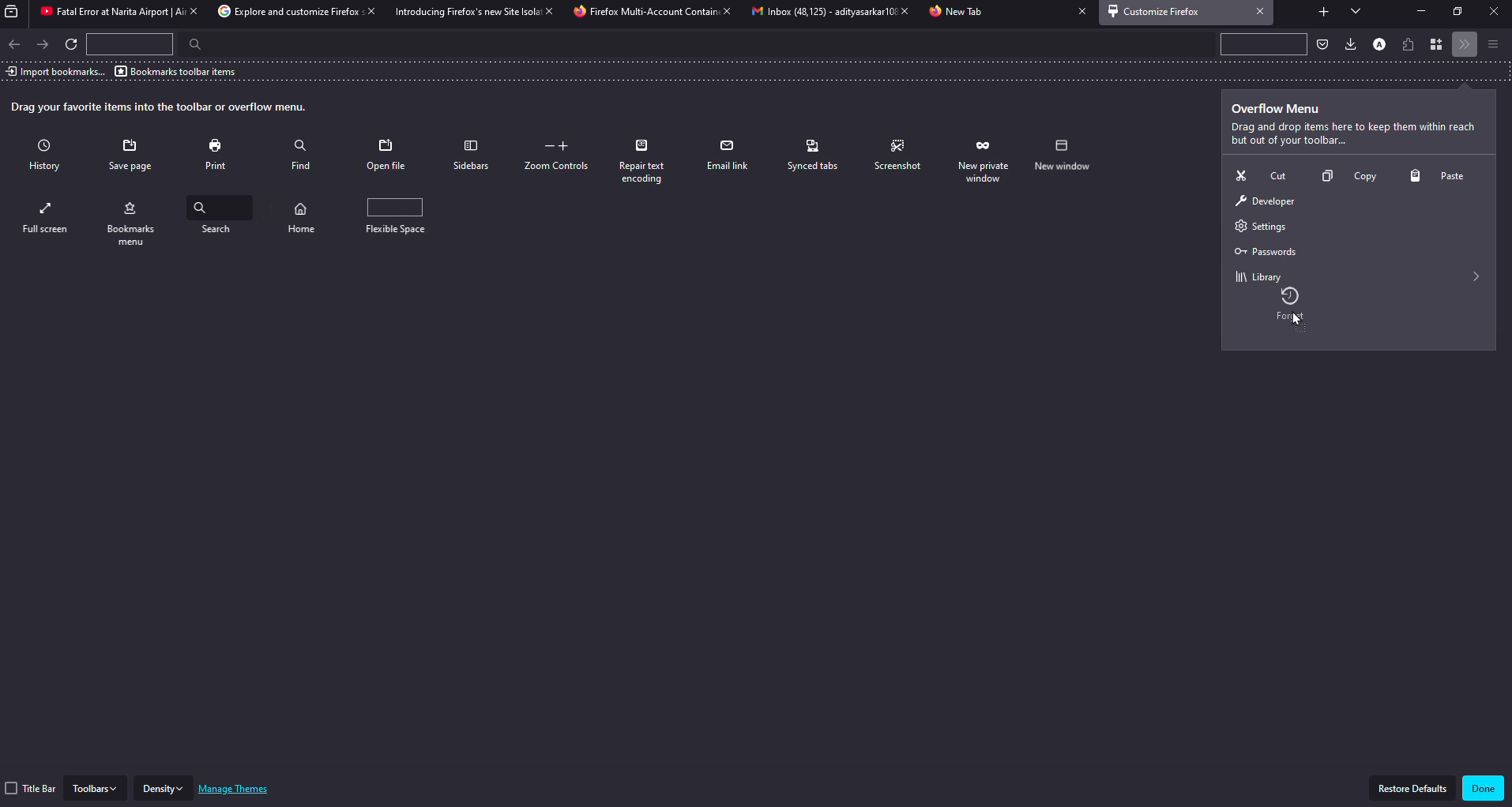 The height and width of the screenshot is (807, 1512). What do you see at coordinates (1458, 12) in the screenshot?
I see `maximize` at bounding box center [1458, 12].